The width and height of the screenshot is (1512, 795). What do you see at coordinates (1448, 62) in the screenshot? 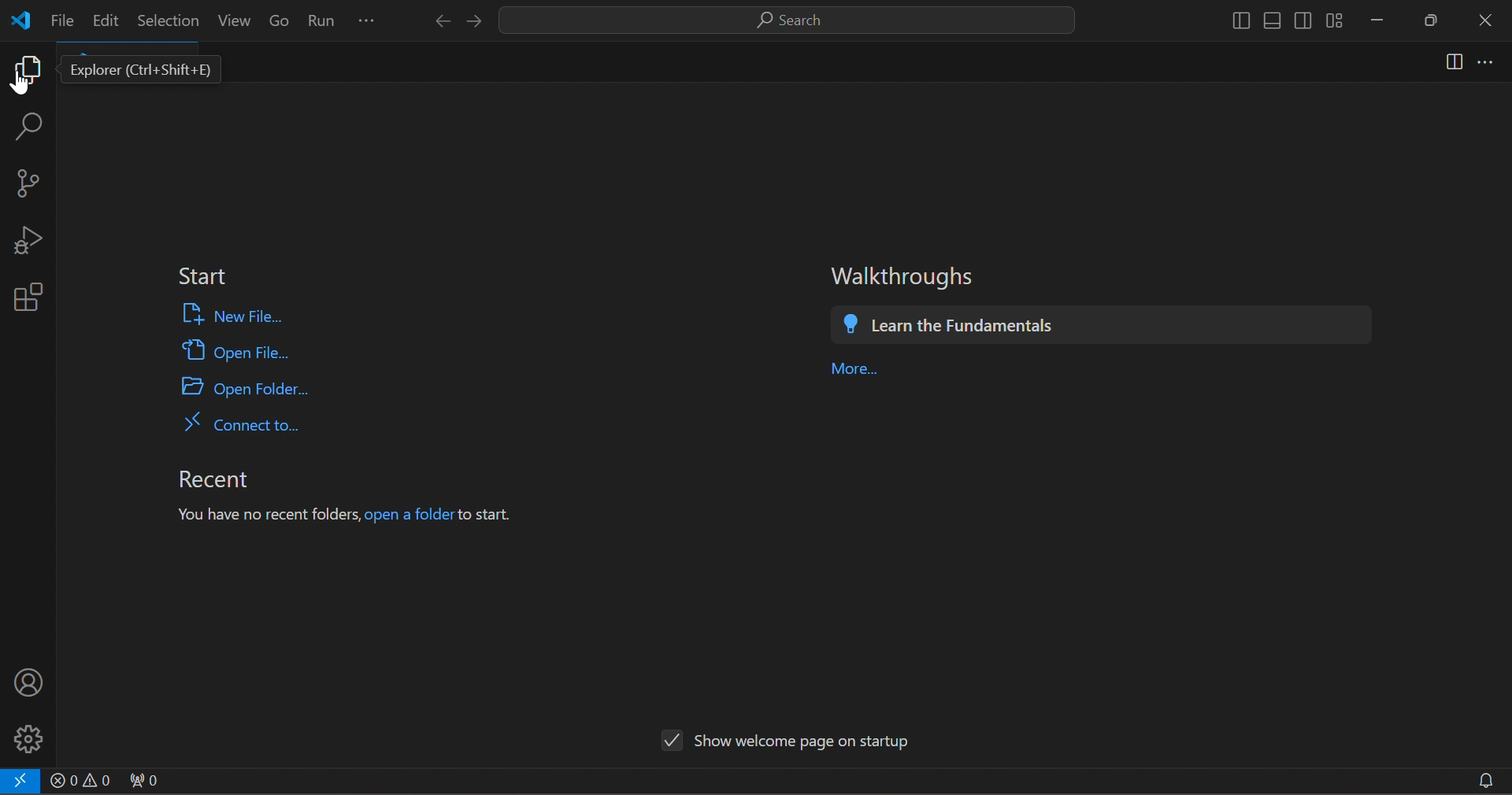
I see `views` at bounding box center [1448, 62].